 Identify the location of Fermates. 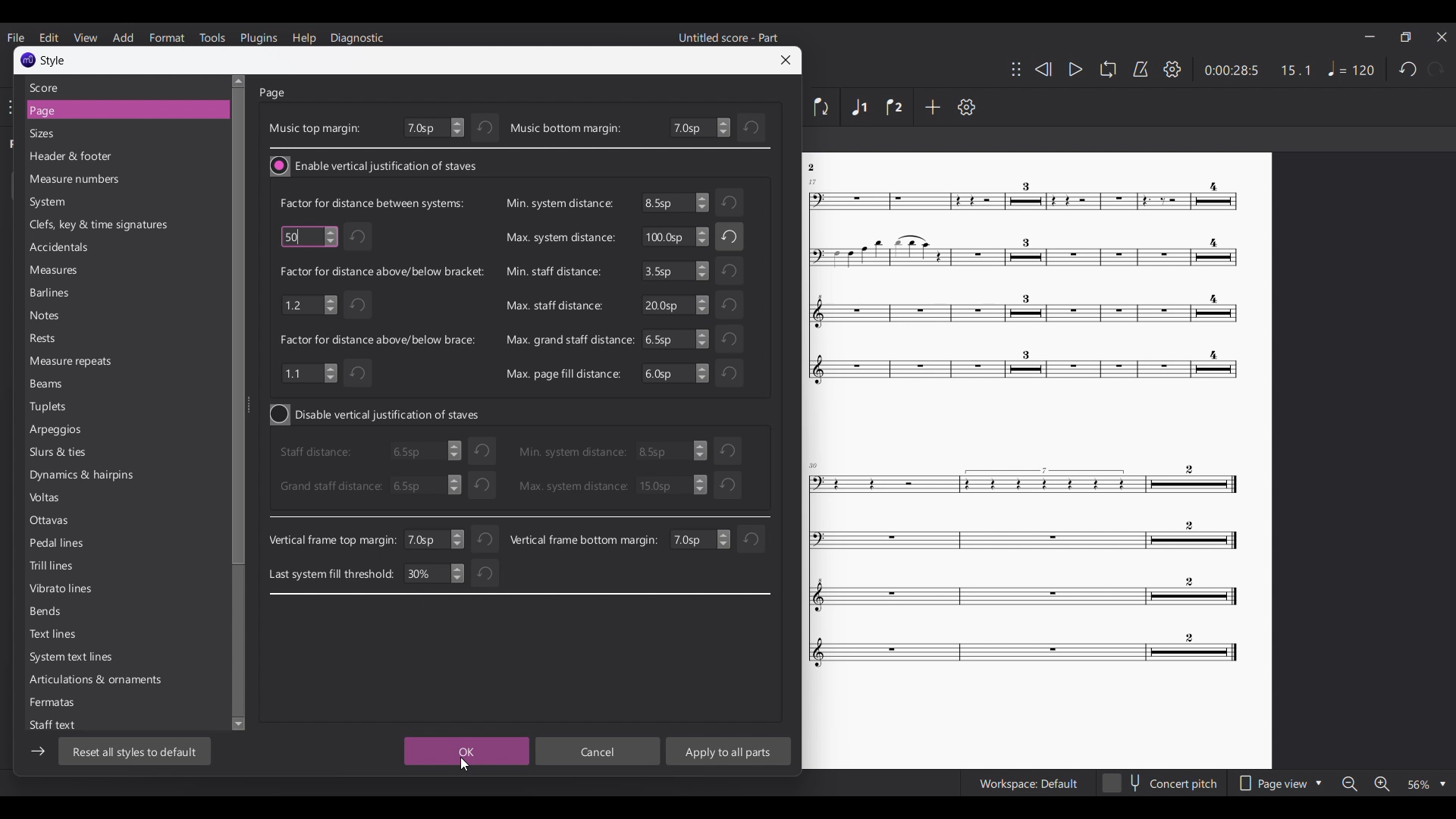
(80, 706).